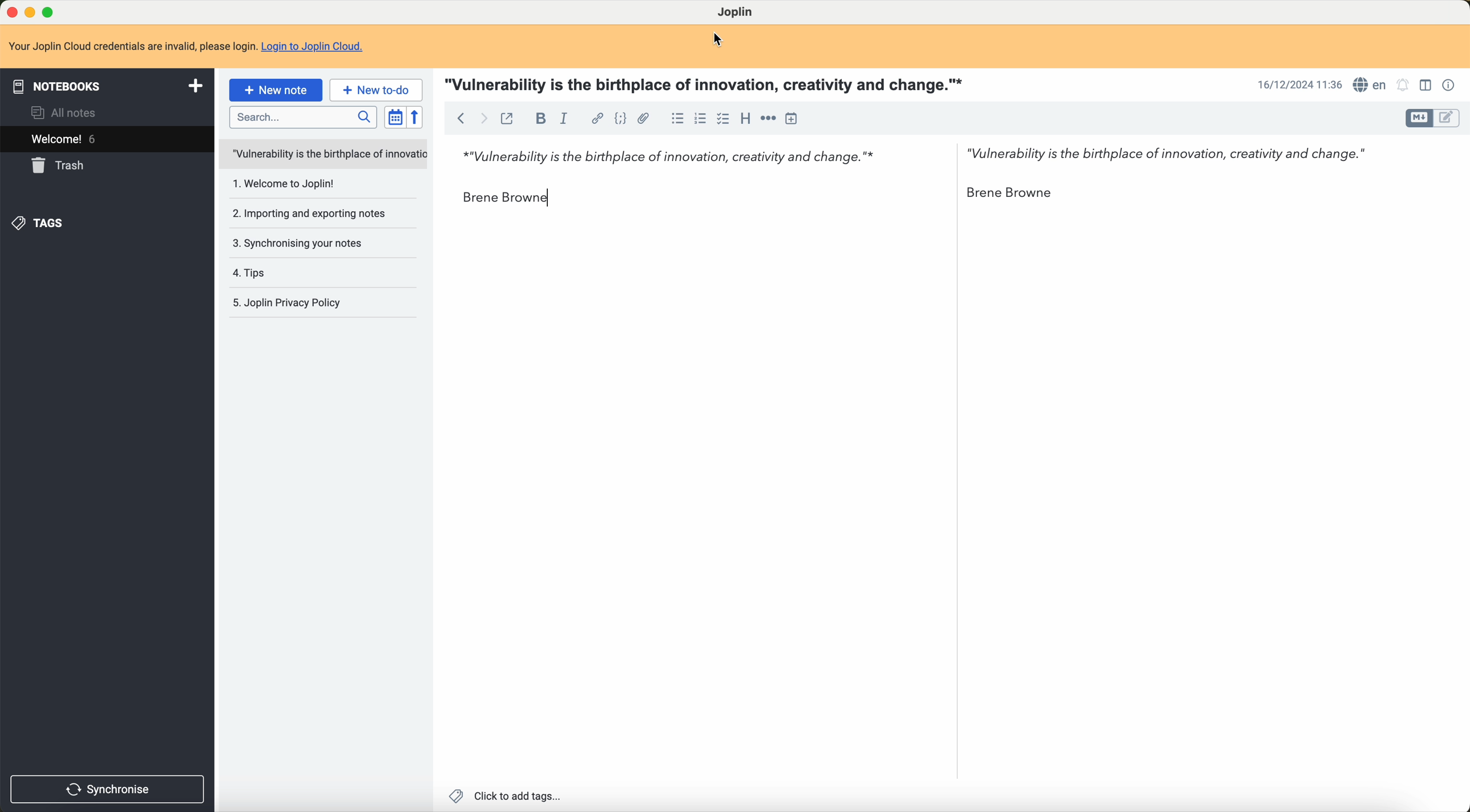 Image resolution: width=1470 pixels, height=812 pixels. I want to click on toggle sort order field, so click(393, 118).